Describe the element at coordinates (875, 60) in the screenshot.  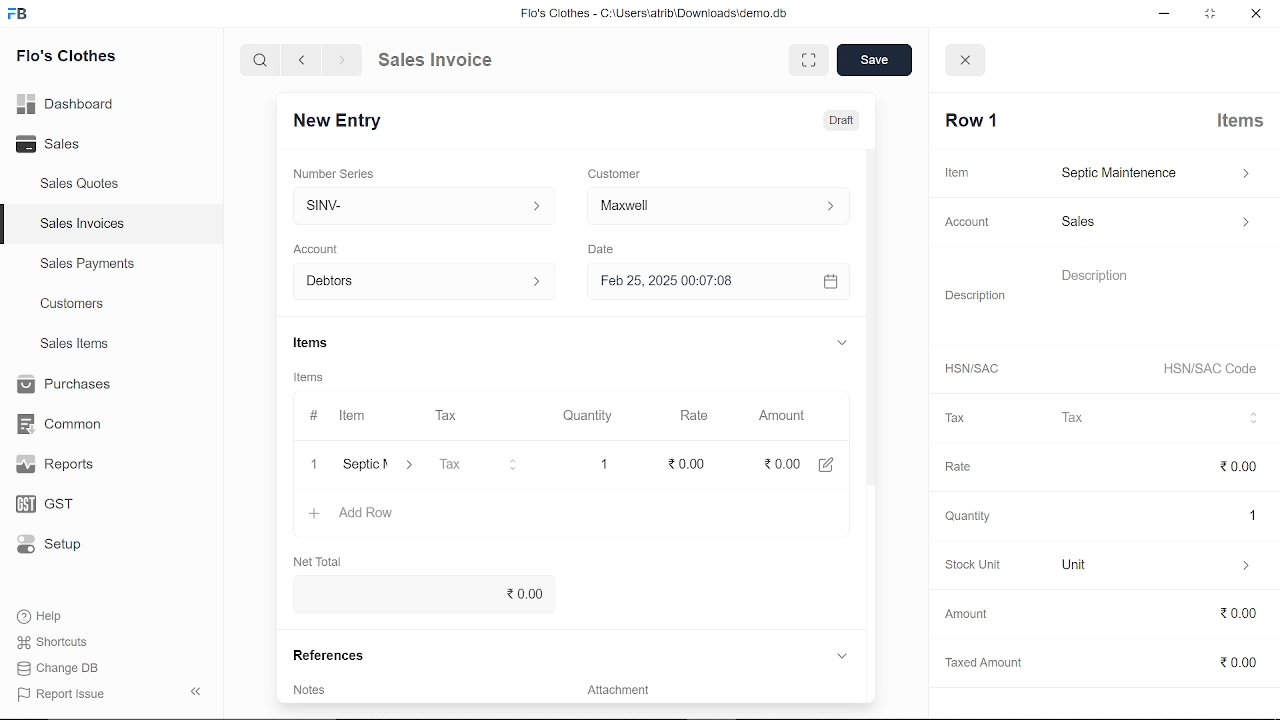
I see `save` at that location.